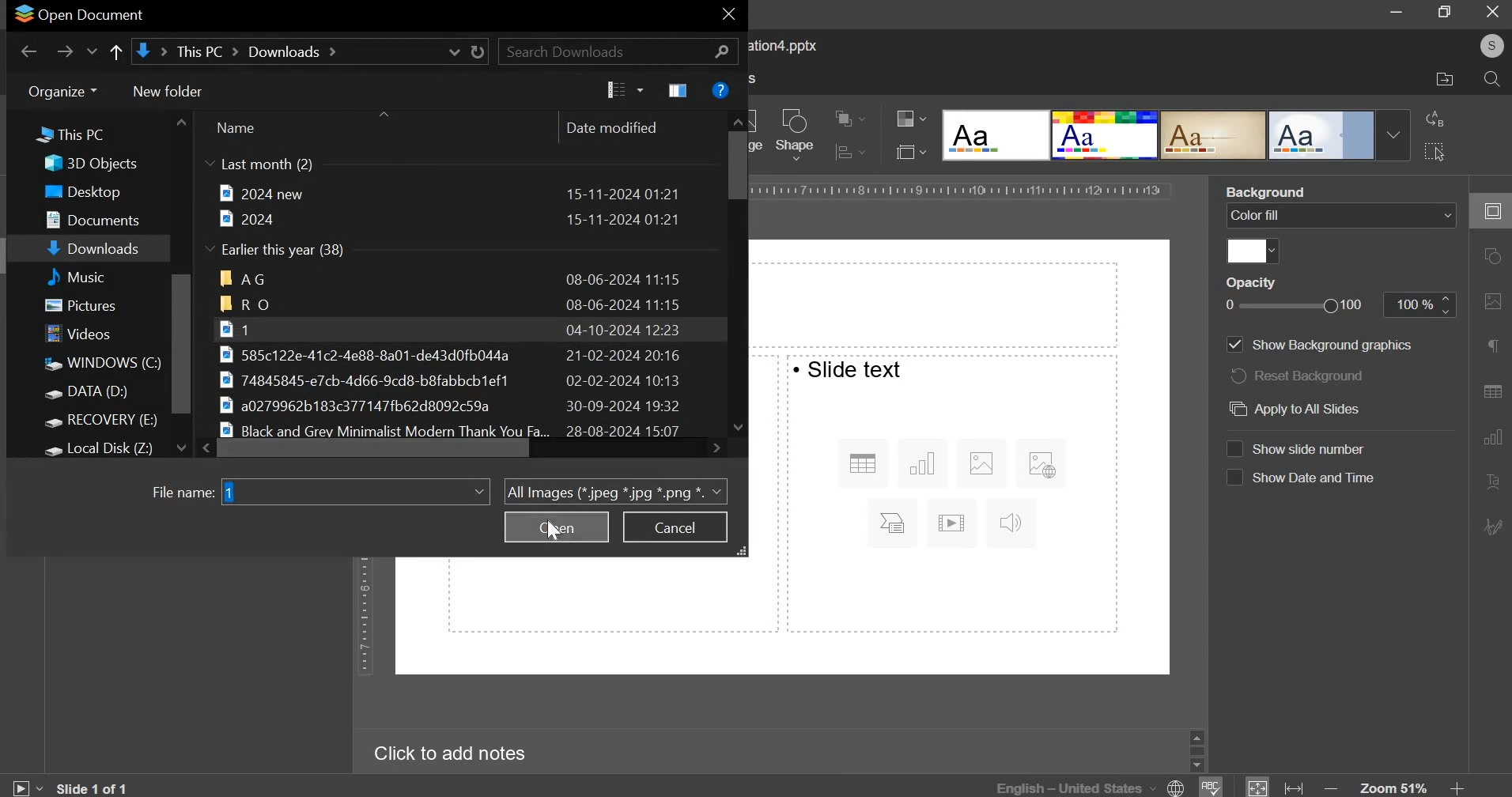 This screenshot has height=797, width=1512. What do you see at coordinates (1393, 788) in the screenshot?
I see `zoom 51%` at bounding box center [1393, 788].